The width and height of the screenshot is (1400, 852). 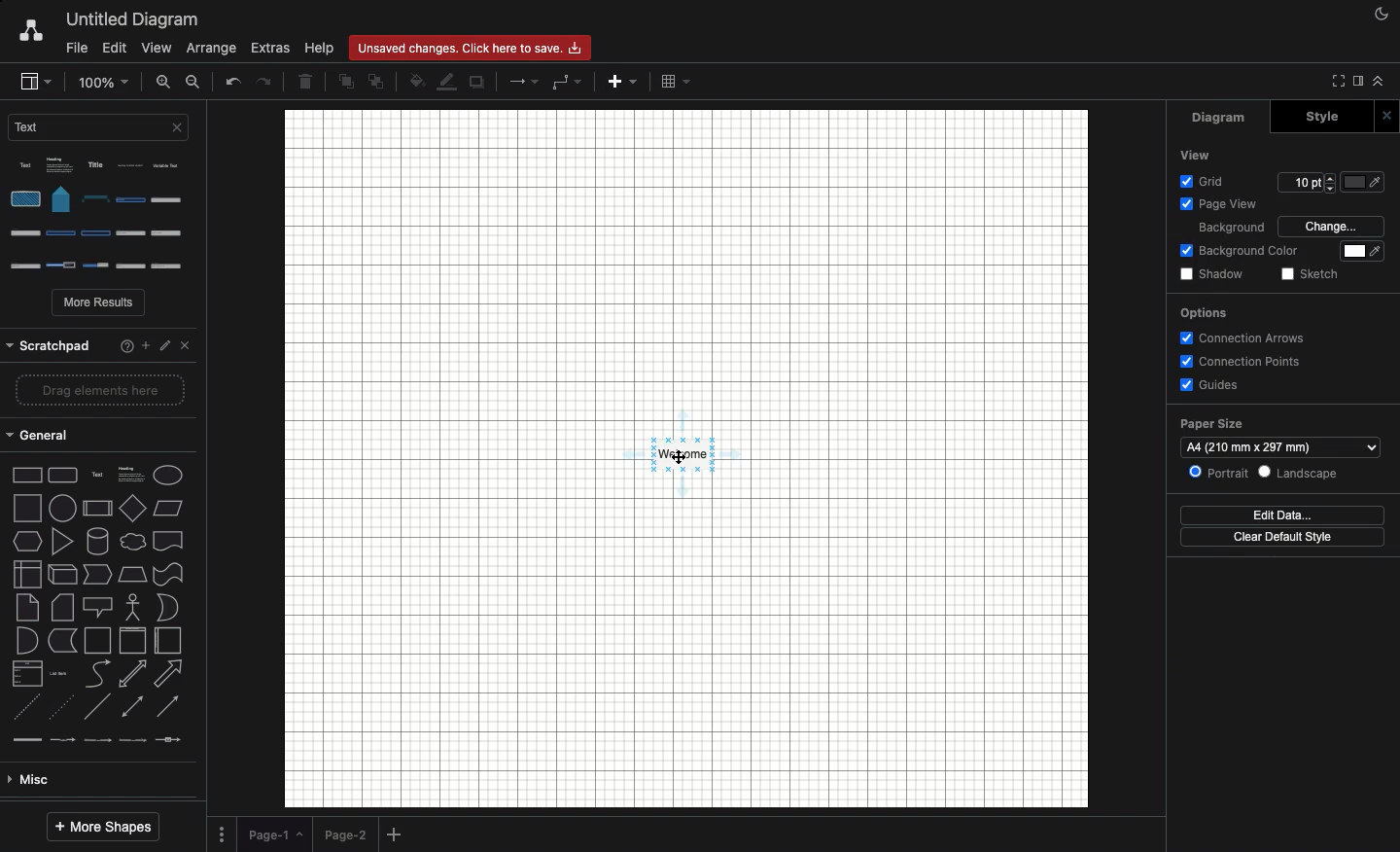 I want to click on , so click(x=1277, y=444).